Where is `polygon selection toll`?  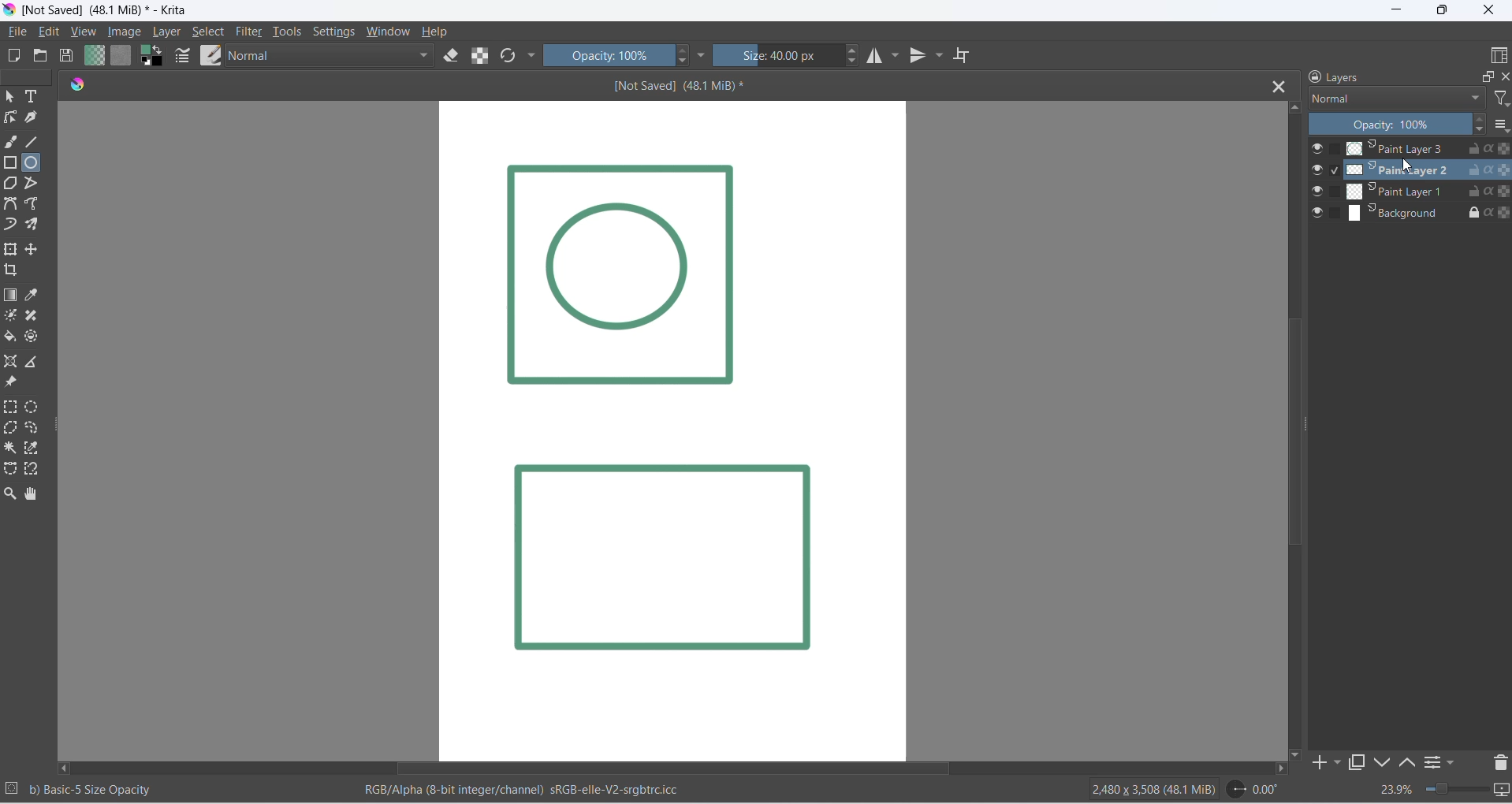
polygon selection toll is located at coordinates (11, 429).